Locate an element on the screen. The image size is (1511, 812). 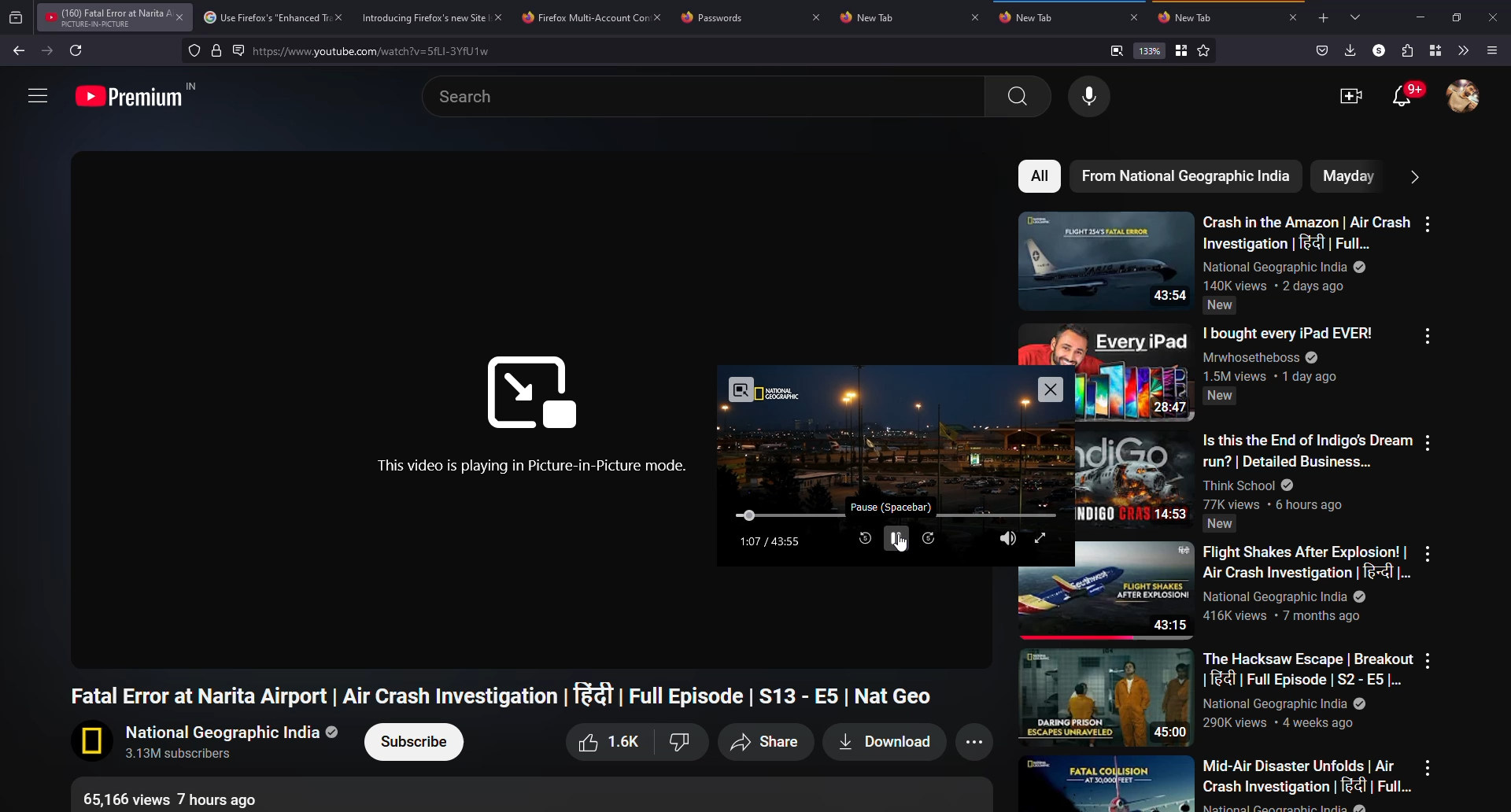
tab is located at coordinates (1191, 18).